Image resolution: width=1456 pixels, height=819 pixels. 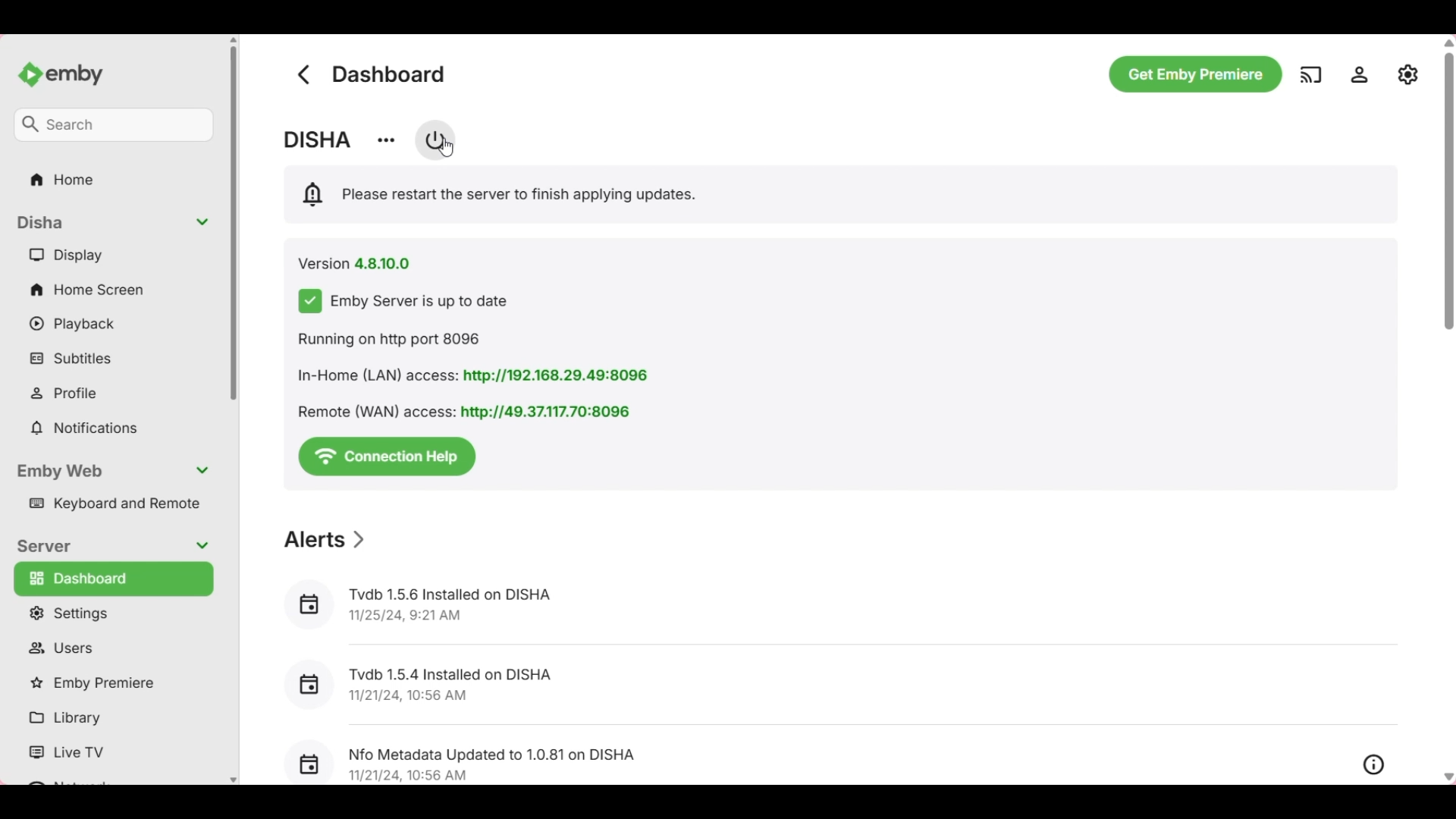 What do you see at coordinates (1359, 74) in the screenshot?
I see `Settings` at bounding box center [1359, 74].